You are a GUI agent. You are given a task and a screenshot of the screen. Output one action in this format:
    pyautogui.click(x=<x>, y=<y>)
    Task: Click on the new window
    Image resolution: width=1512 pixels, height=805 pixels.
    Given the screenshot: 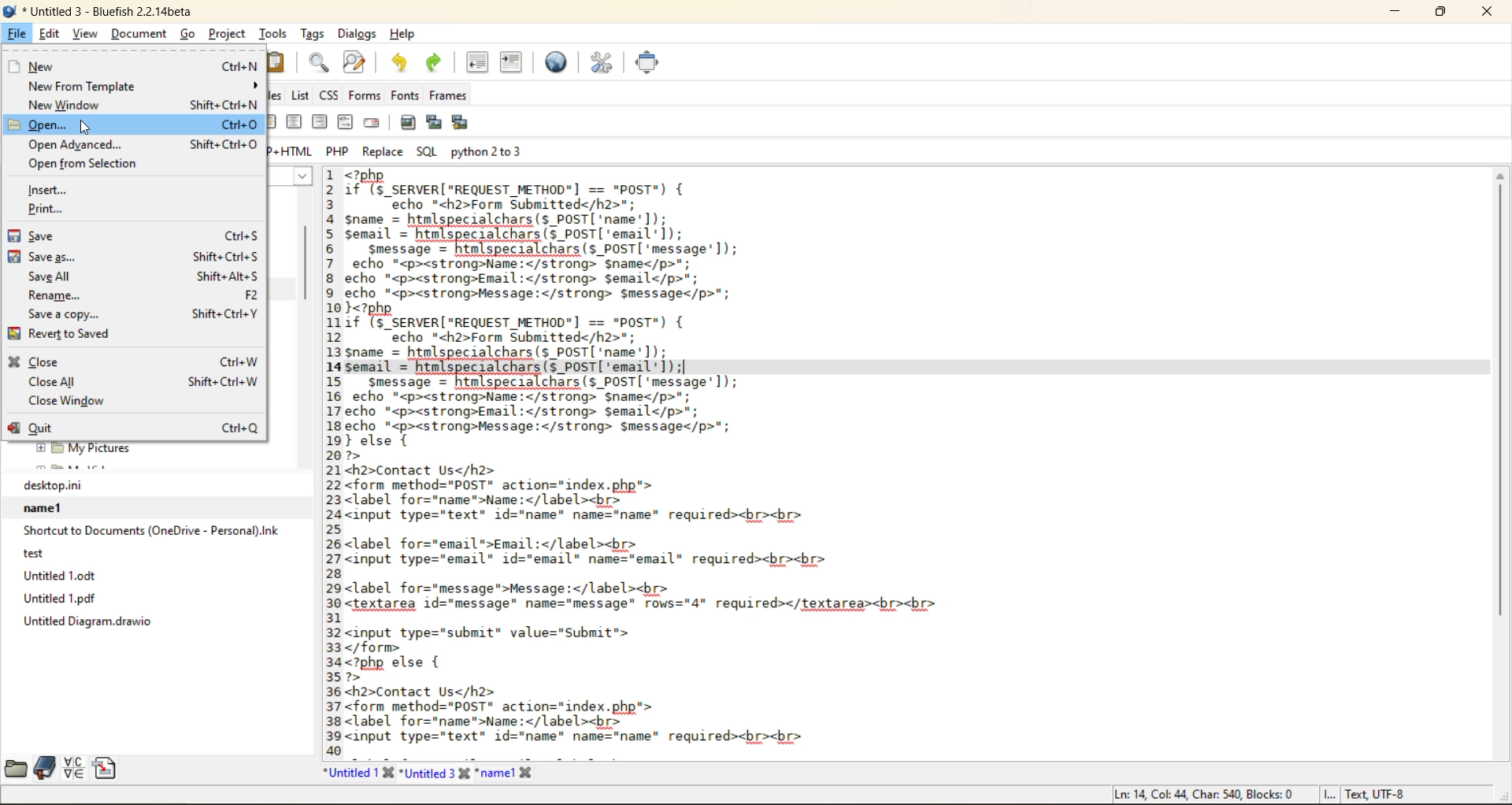 What is the action you would take?
    pyautogui.click(x=142, y=104)
    